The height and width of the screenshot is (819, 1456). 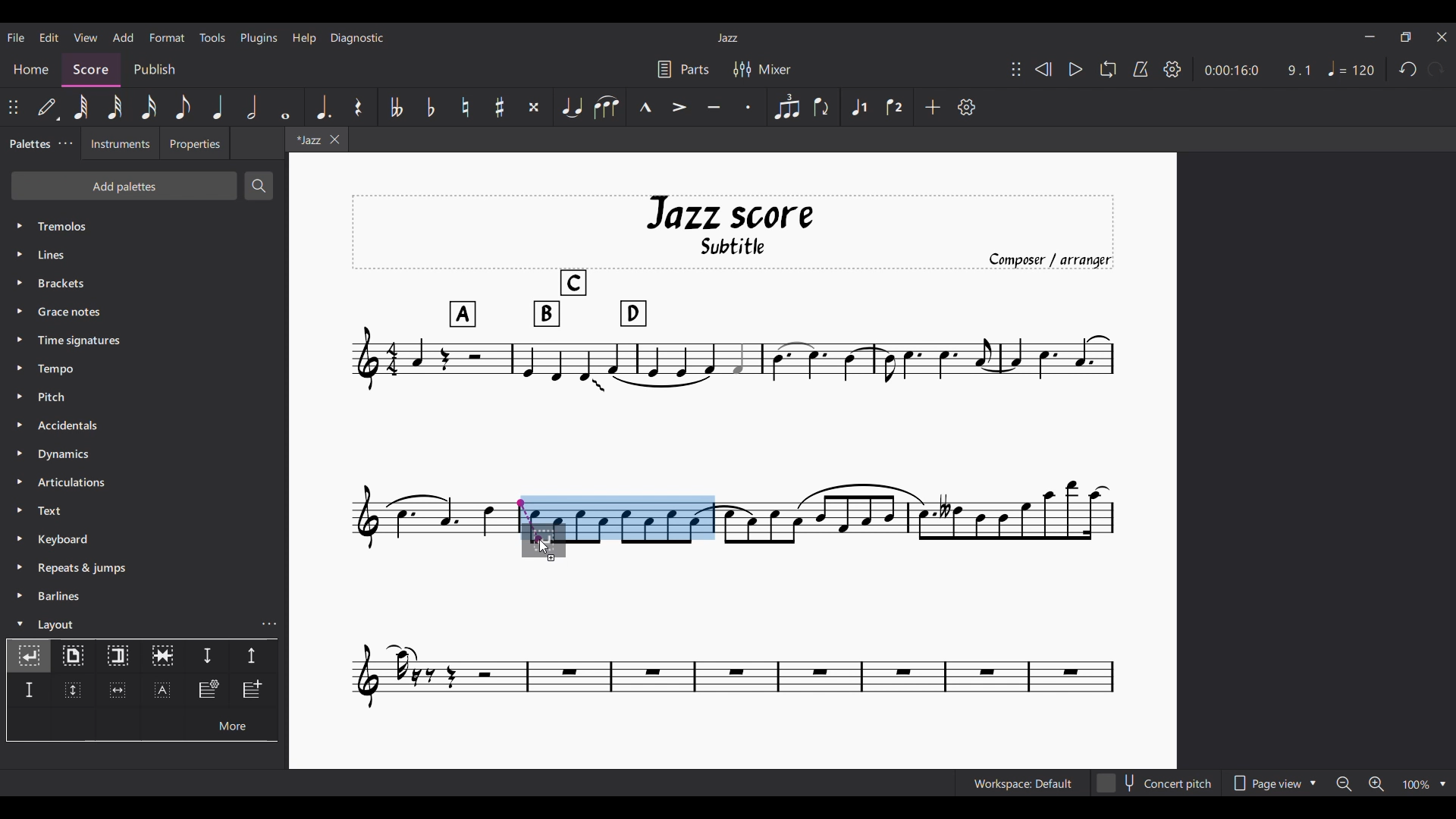 What do you see at coordinates (123, 37) in the screenshot?
I see `Add menu` at bounding box center [123, 37].